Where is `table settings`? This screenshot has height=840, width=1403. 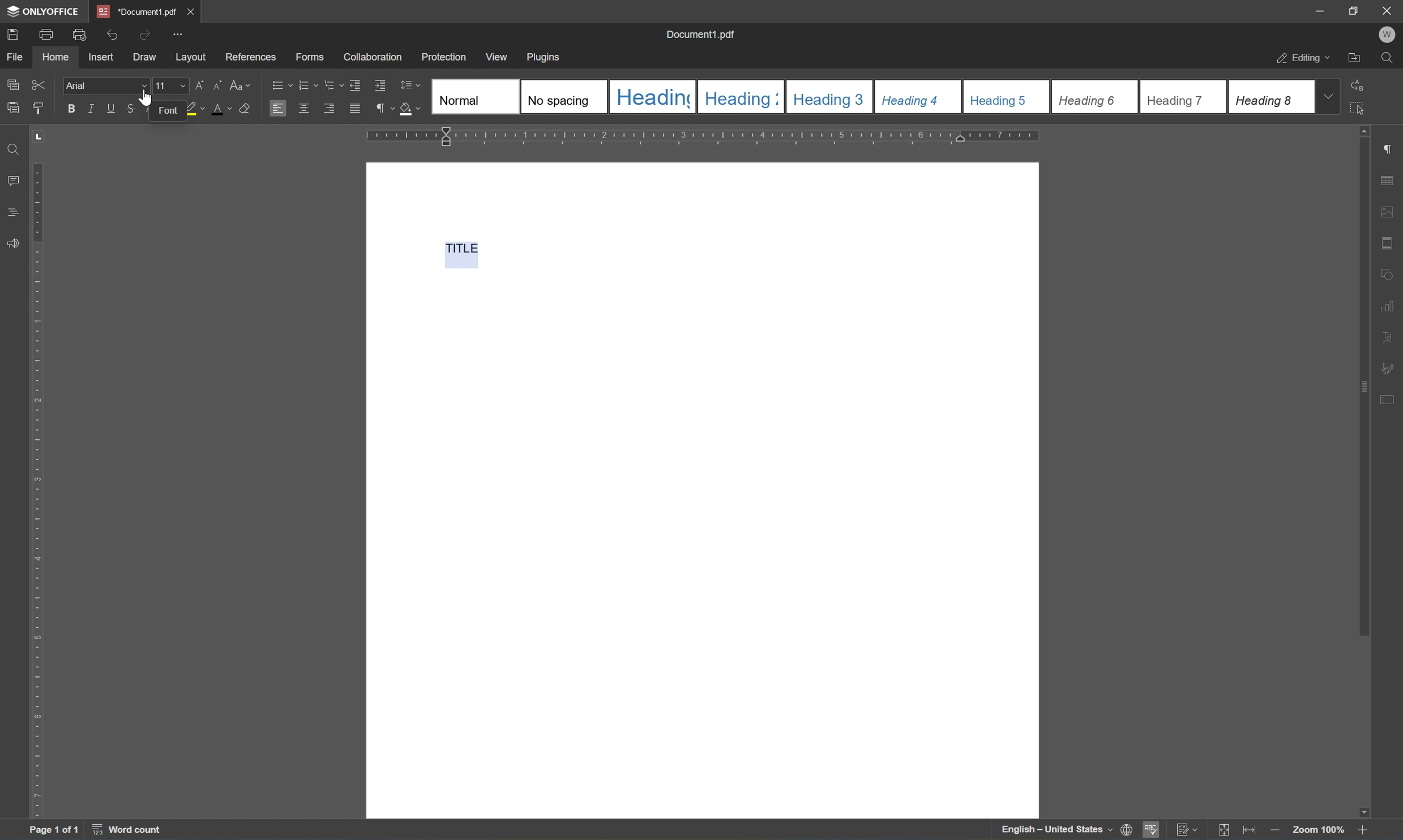 table settings is located at coordinates (1391, 180).